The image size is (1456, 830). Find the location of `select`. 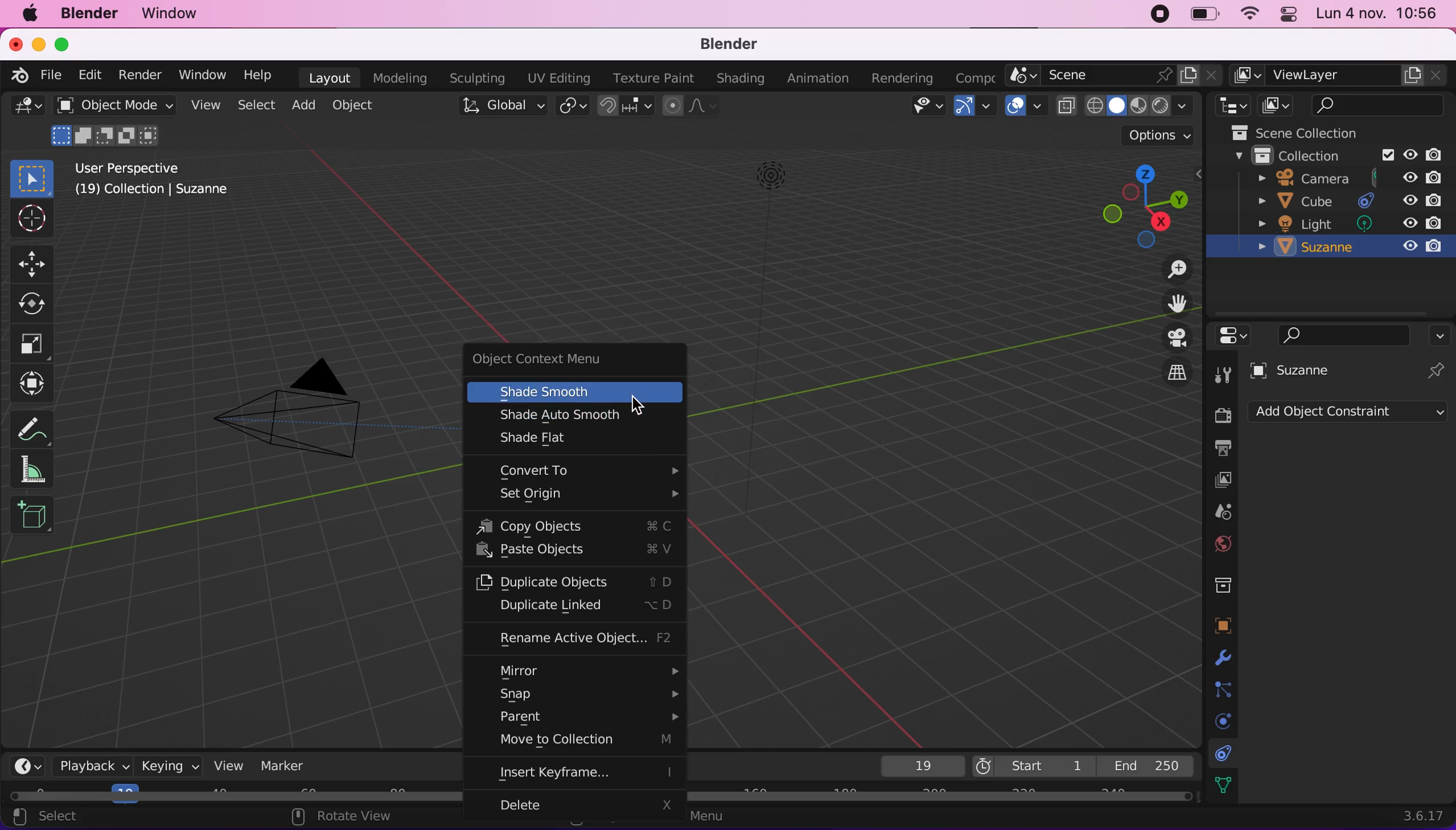

select is located at coordinates (254, 104).